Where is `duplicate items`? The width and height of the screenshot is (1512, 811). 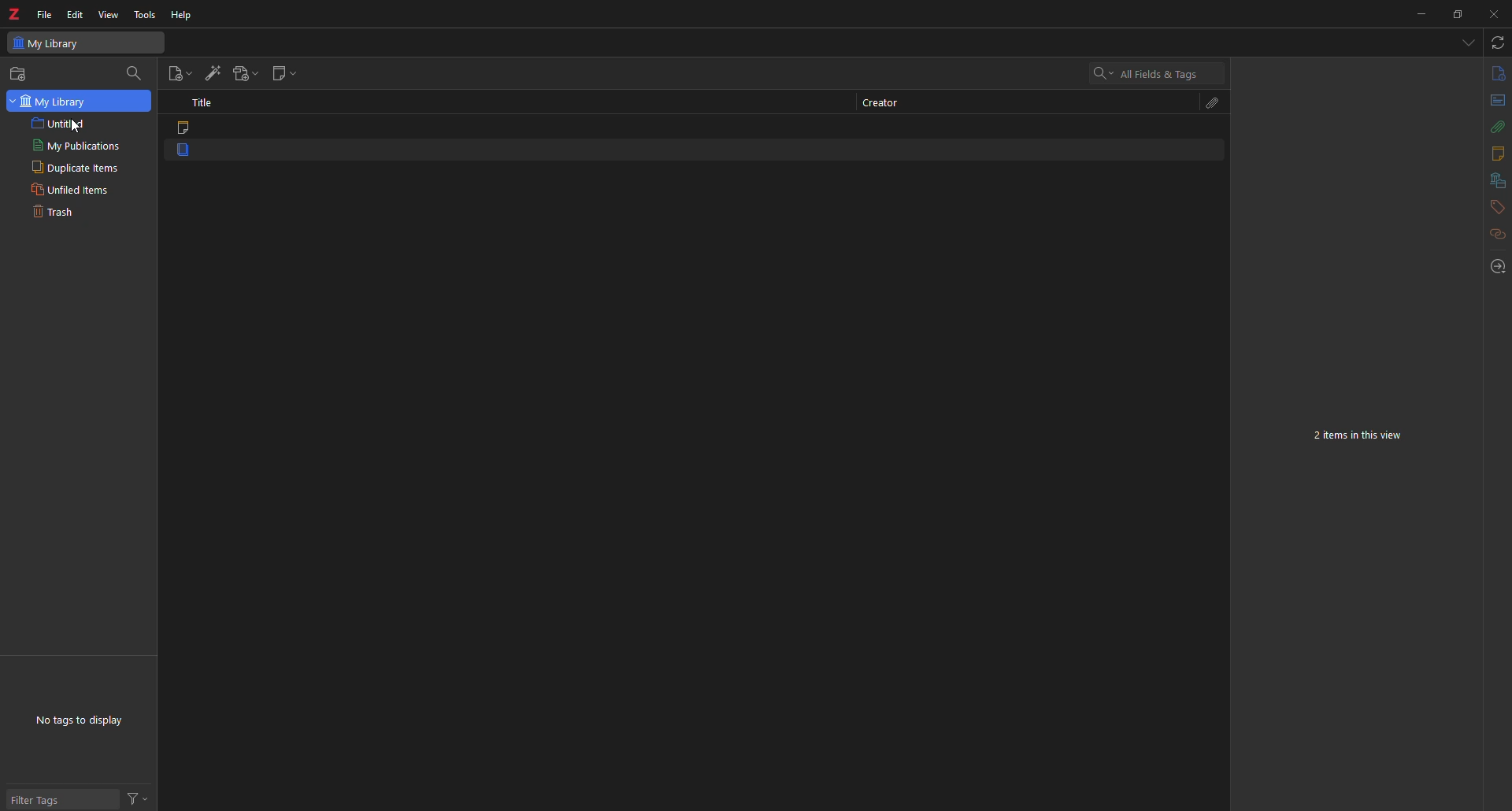
duplicate items is located at coordinates (73, 168).